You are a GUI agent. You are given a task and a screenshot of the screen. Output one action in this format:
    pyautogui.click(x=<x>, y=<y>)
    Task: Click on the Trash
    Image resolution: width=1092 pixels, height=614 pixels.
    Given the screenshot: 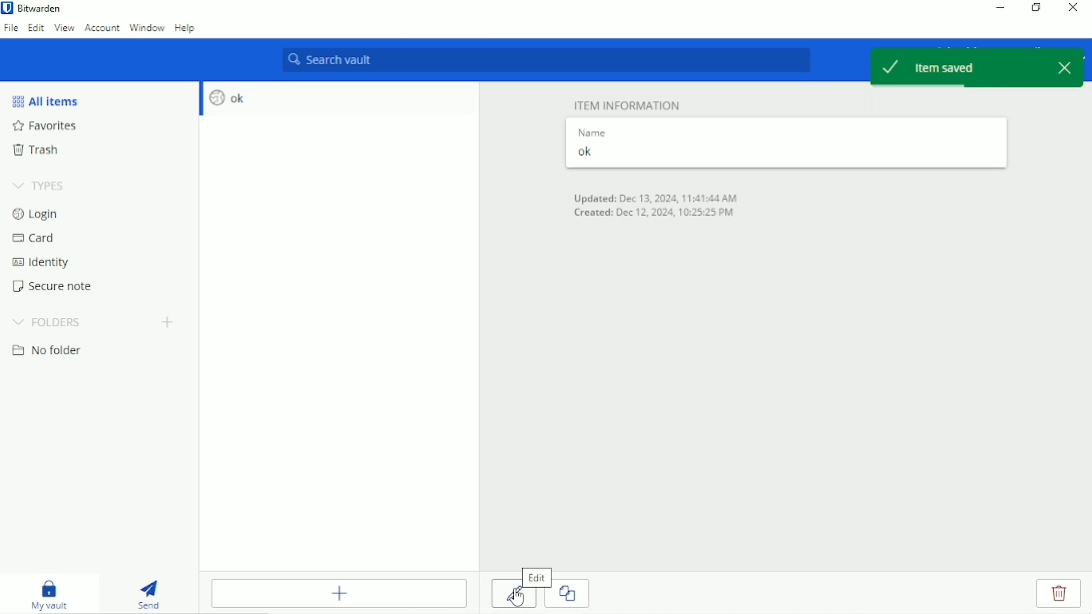 What is the action you would take?
    pyautogui.click(x=40, y=149)
    